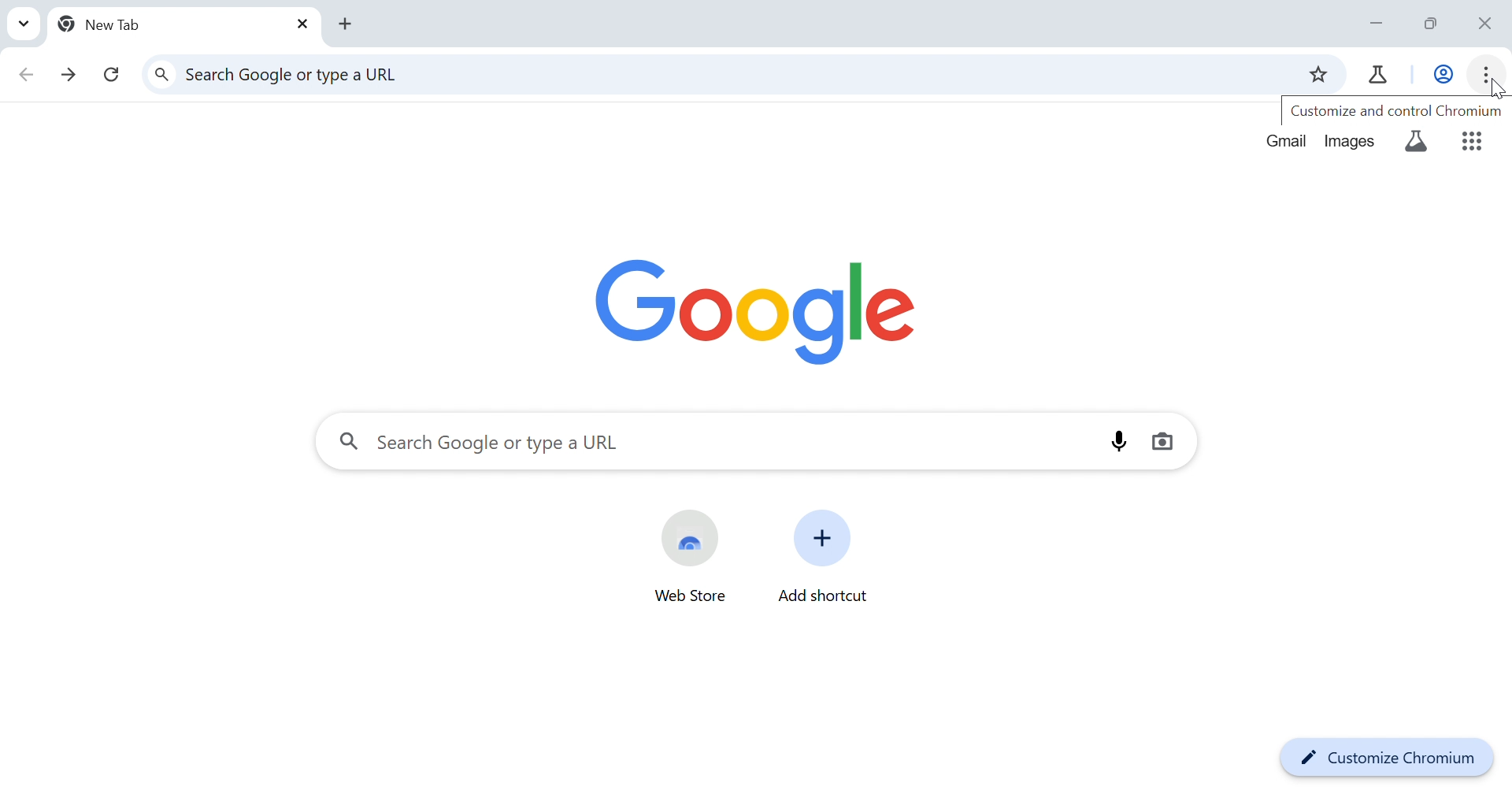  What do you see at coordinates (755, 314) in the screenshot?
I see `Google` at bounding box center [755, 314].